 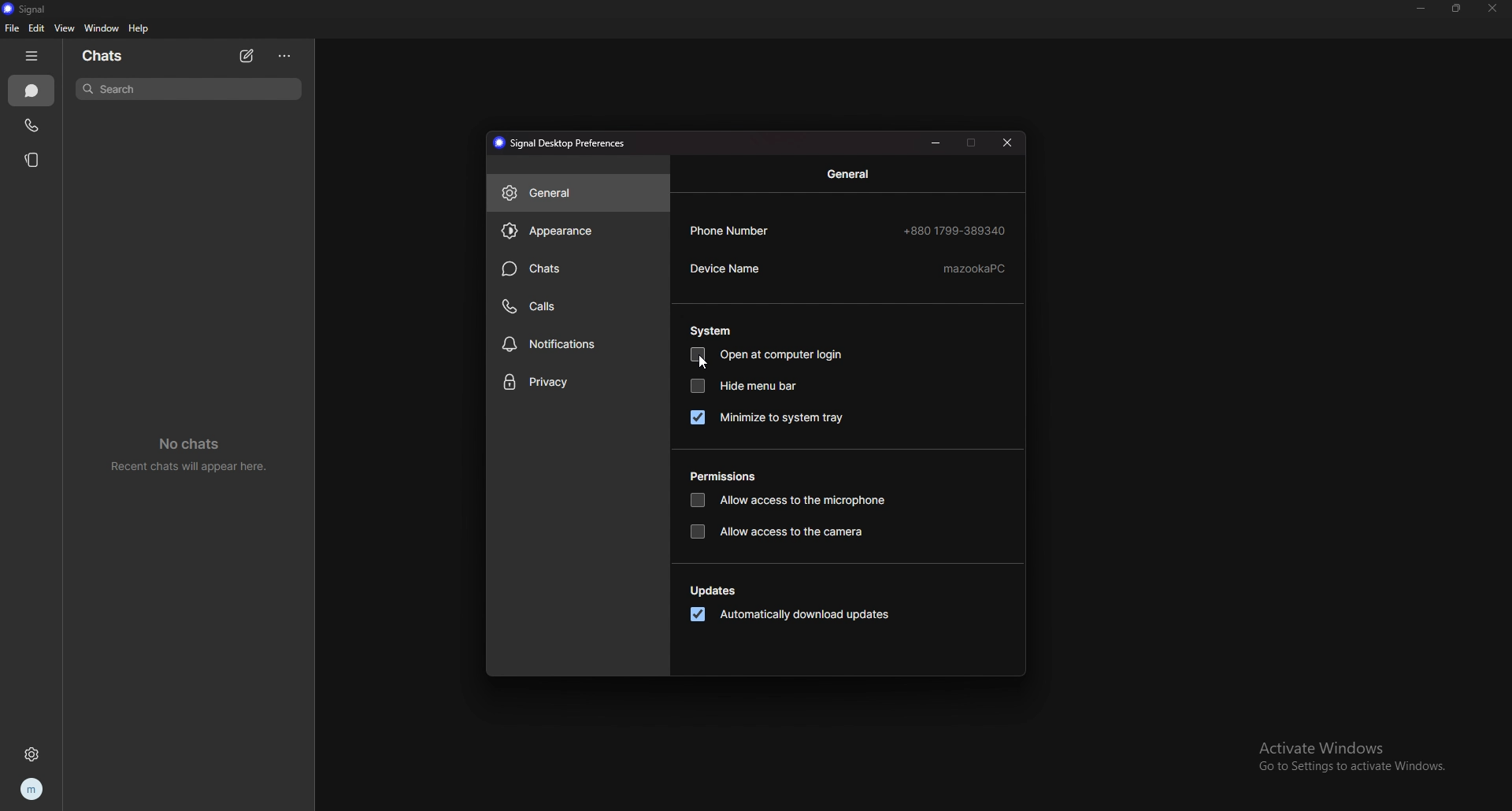 What do you see at coordinates (1491, 8) in the screenshot?
I see `close` at bounding box center [1491, 8].